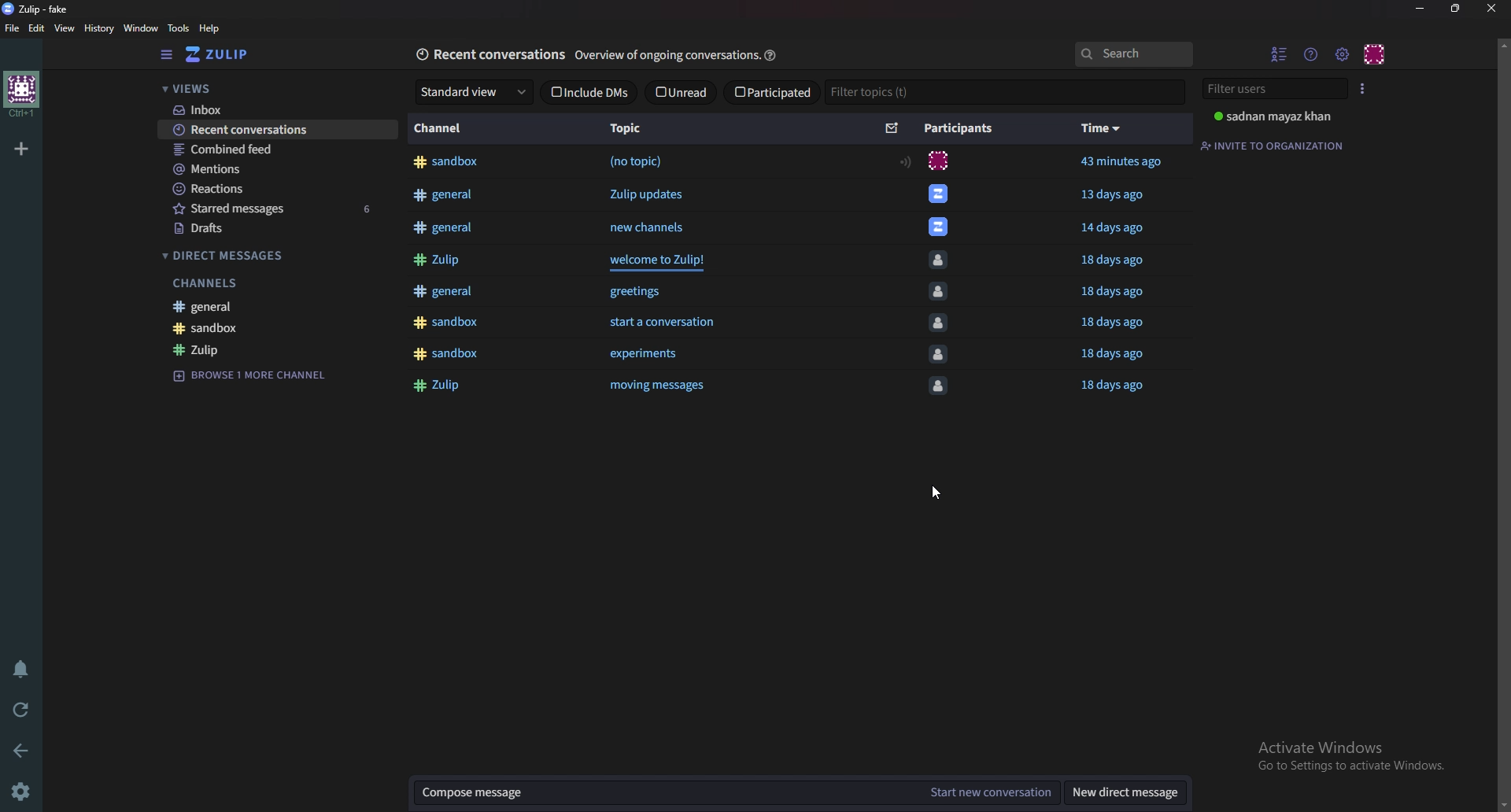 The image size is (1511, 812). What do you see at coordinates (20, 147) in the screenshot?
I see `Add organization` at bounding box center [20, 147].